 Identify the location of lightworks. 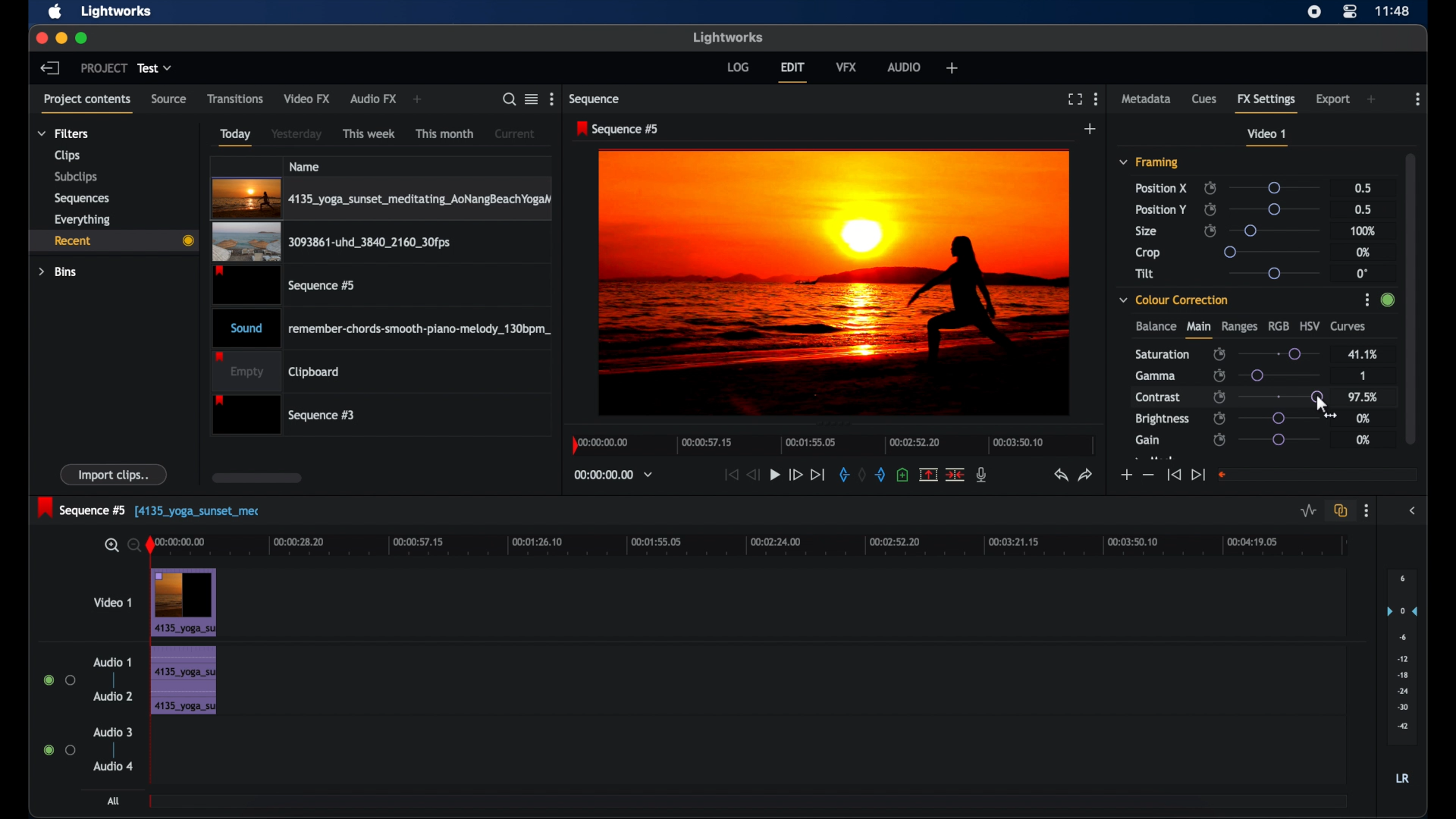
(117, 12).